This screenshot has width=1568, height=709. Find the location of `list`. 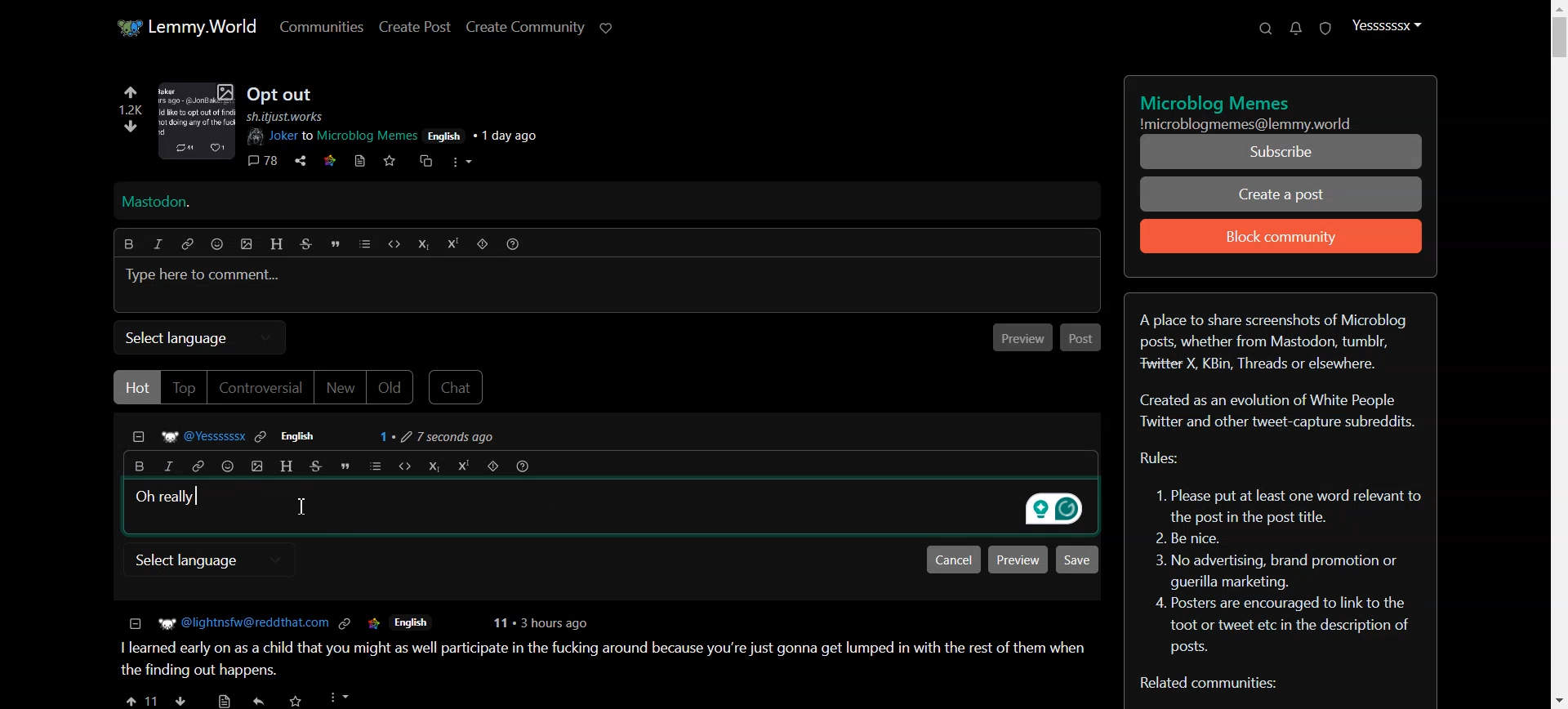

list is located at coordinates (365, 243).